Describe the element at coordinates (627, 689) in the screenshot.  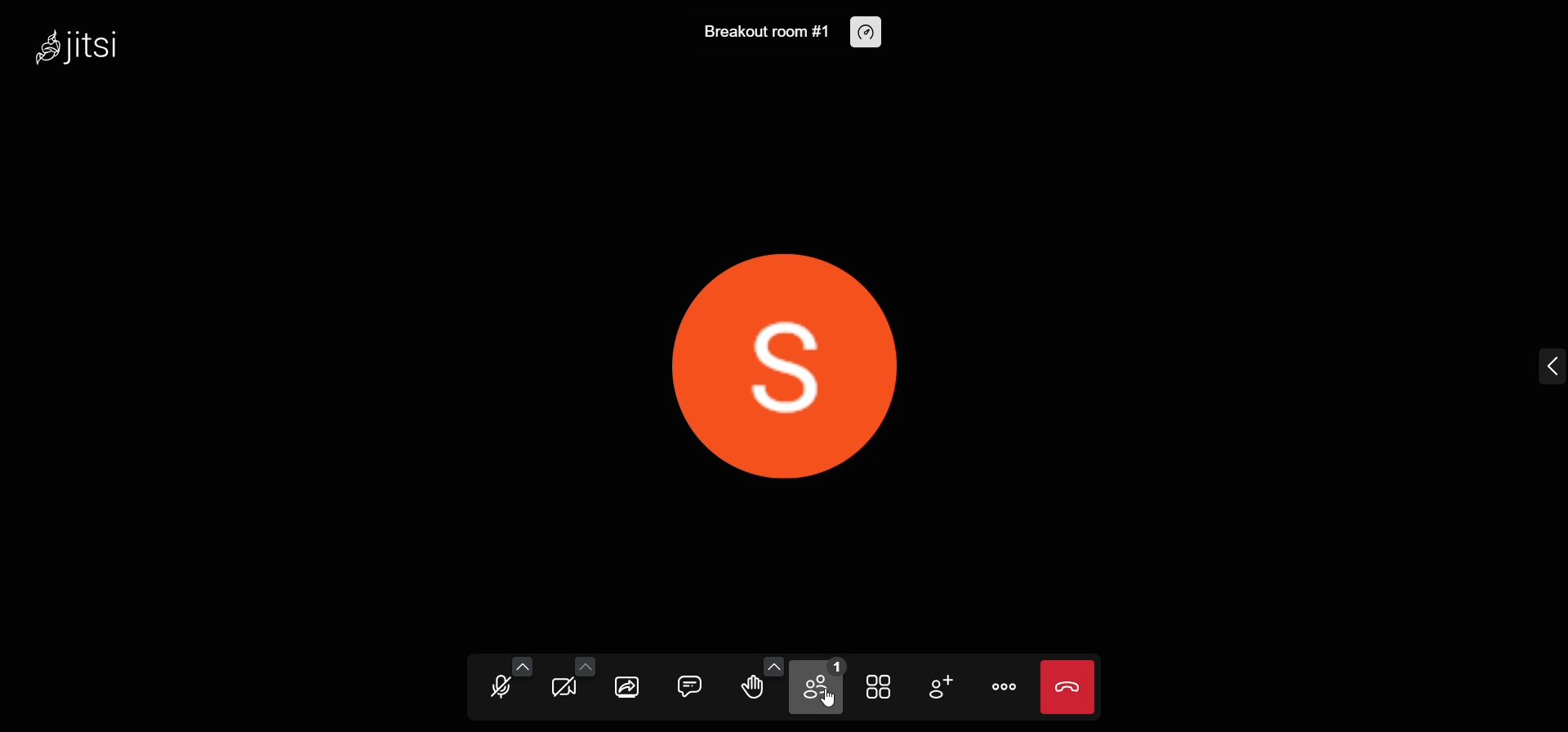
I see `share screen` at that location.